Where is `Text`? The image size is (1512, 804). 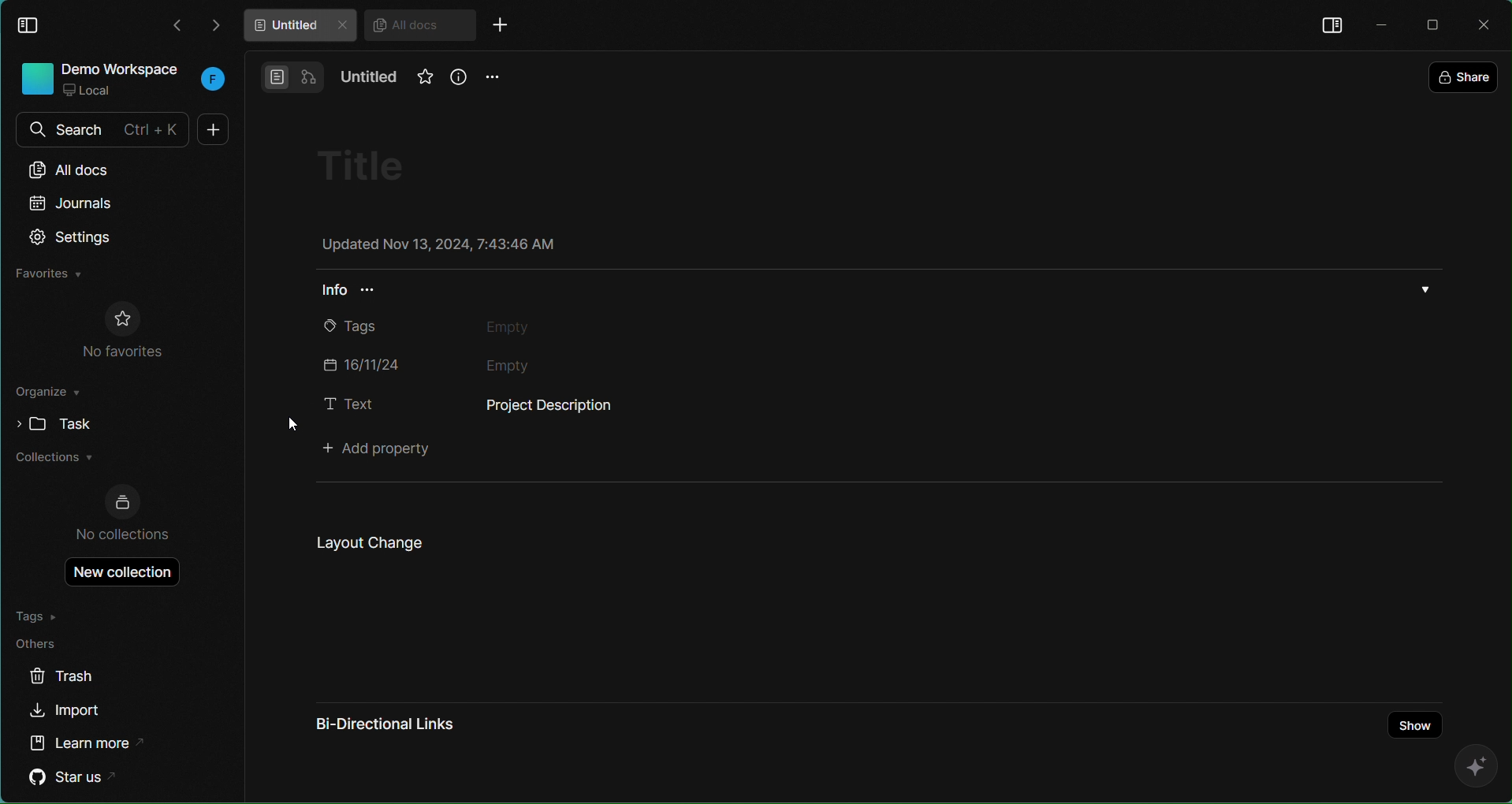 Text is located at coordinates (348, 404).